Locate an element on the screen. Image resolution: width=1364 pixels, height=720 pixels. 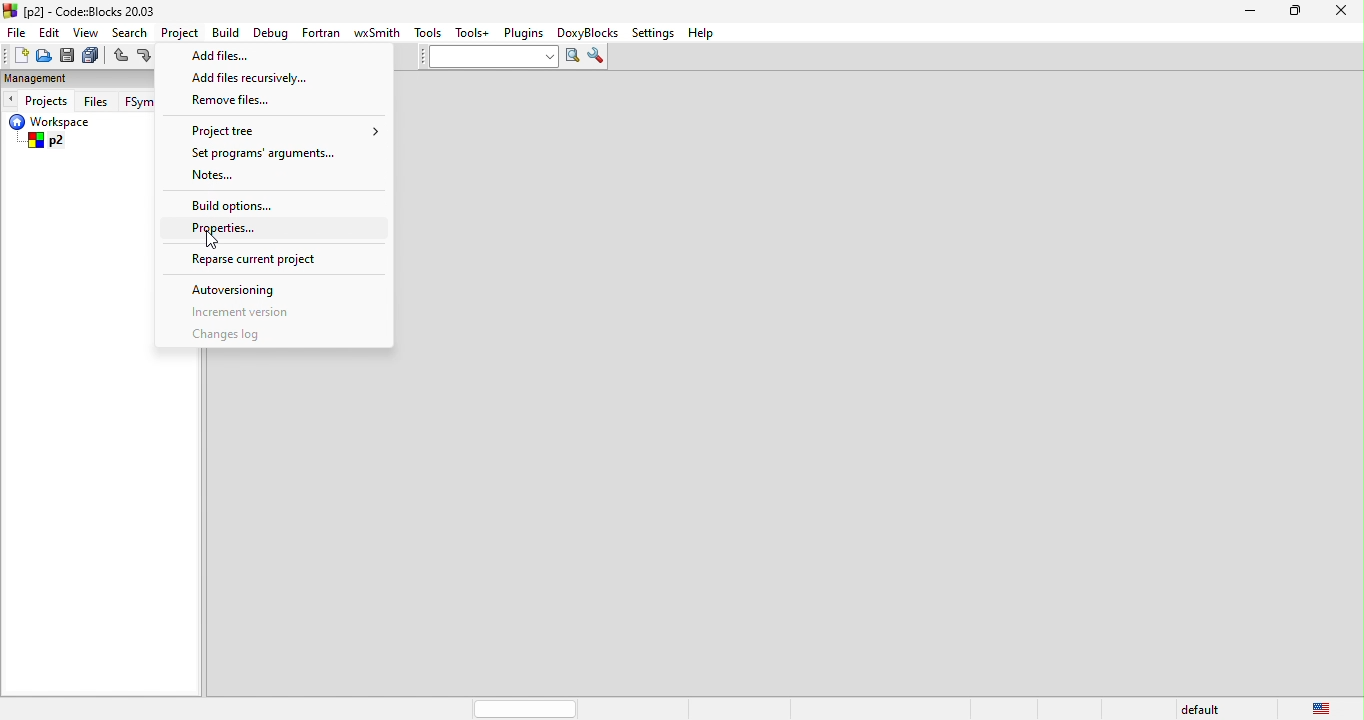
[p2] - Code=Blocks 20.03 is located at coordinates (81, 11).